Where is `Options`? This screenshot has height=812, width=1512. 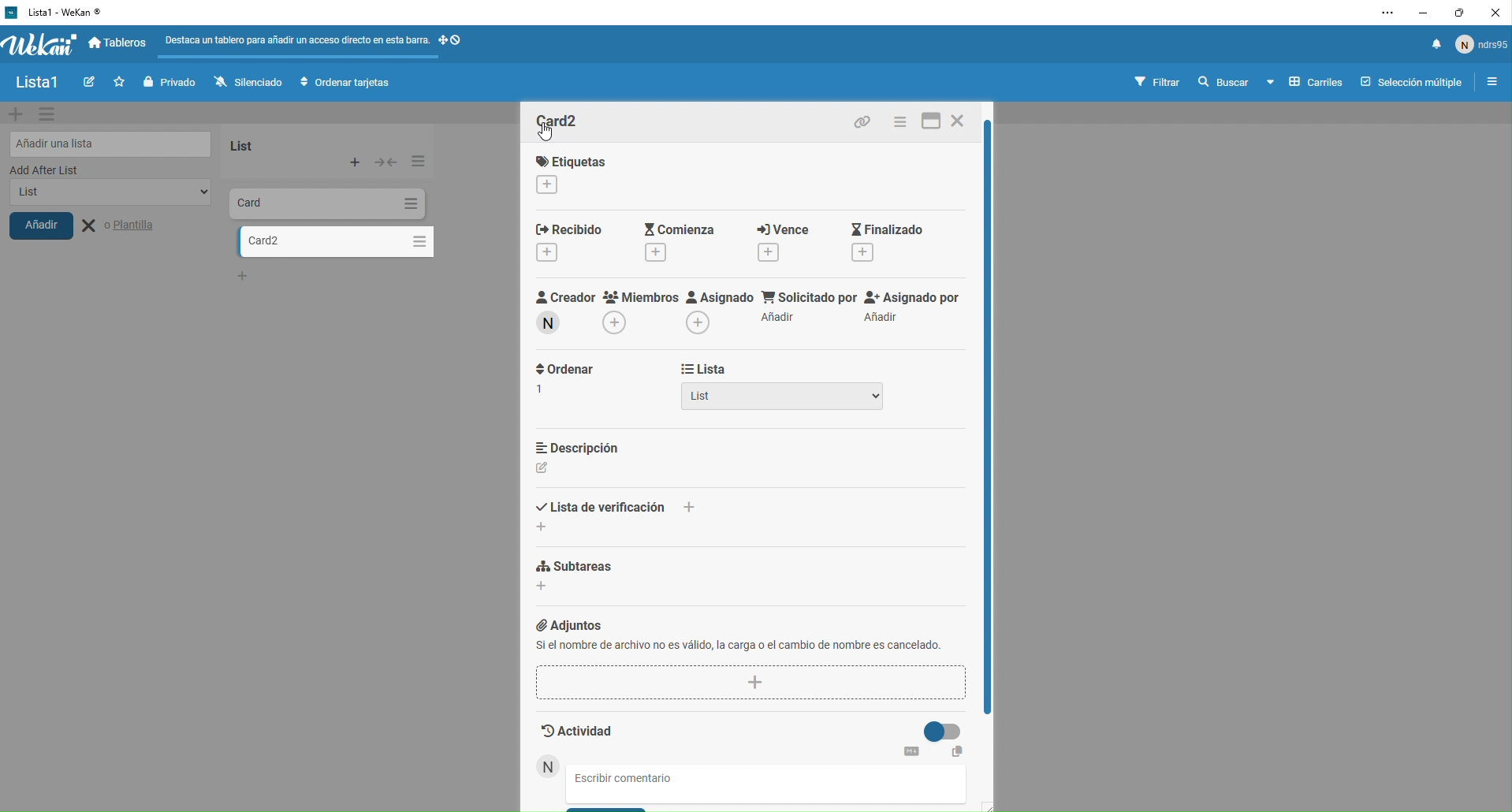
Options is located at coordinates (409, 203).